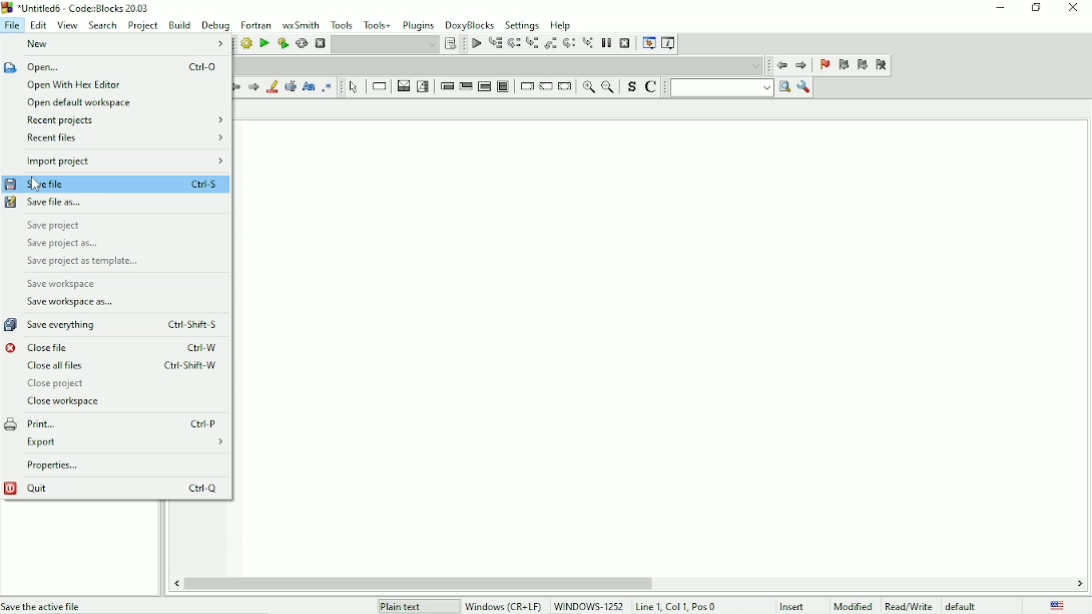 The image size is (1092, 614). Describe the element at coordinates (445, 86) in the screenshot. I see `Entry-condition loop` at that location.